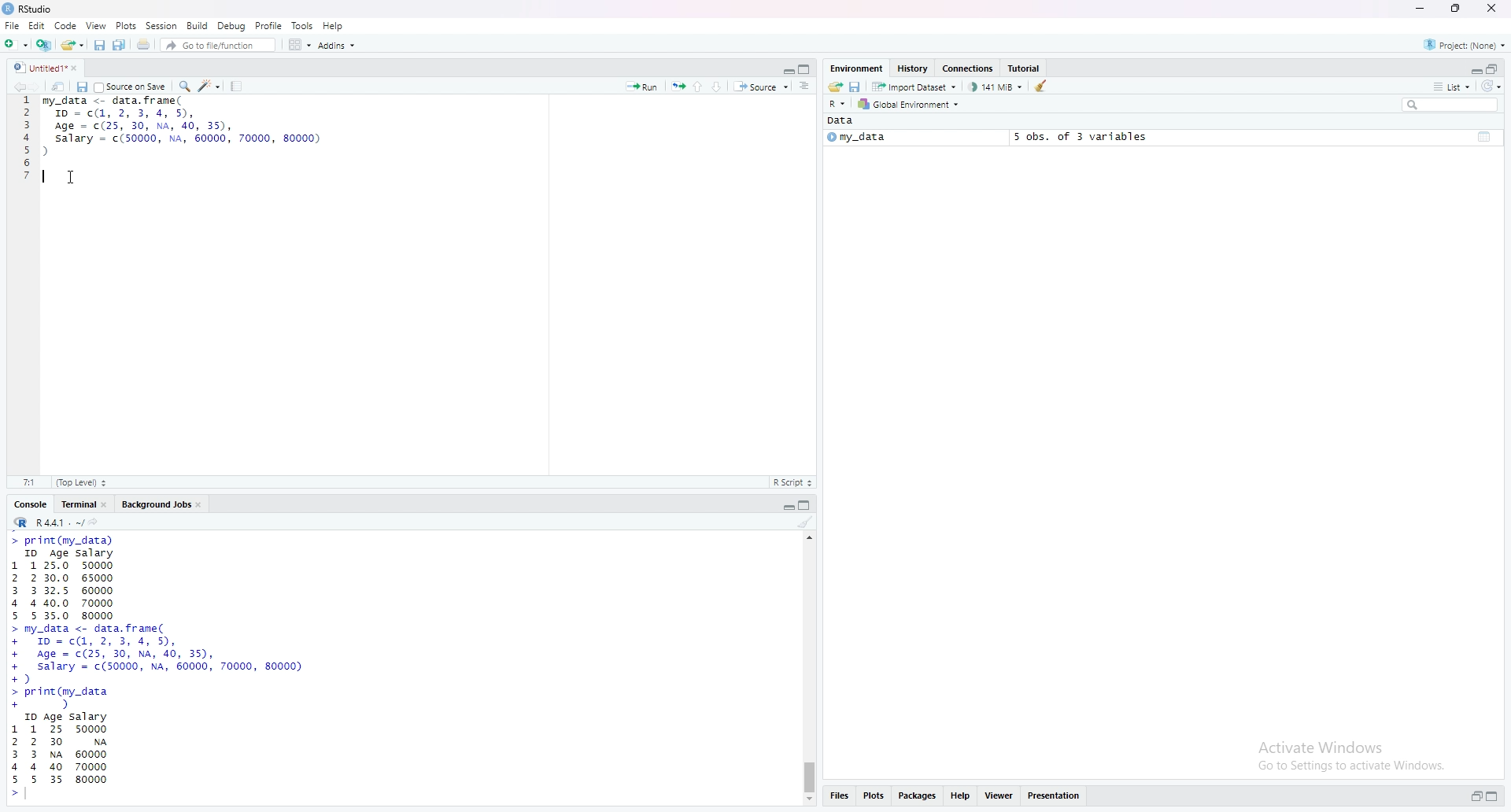 The height and width of the screenshot is (812, 1511). What do you see at coordinates (961, 795) in the screenshot?
I see `help` at bounding box center [961, 795].